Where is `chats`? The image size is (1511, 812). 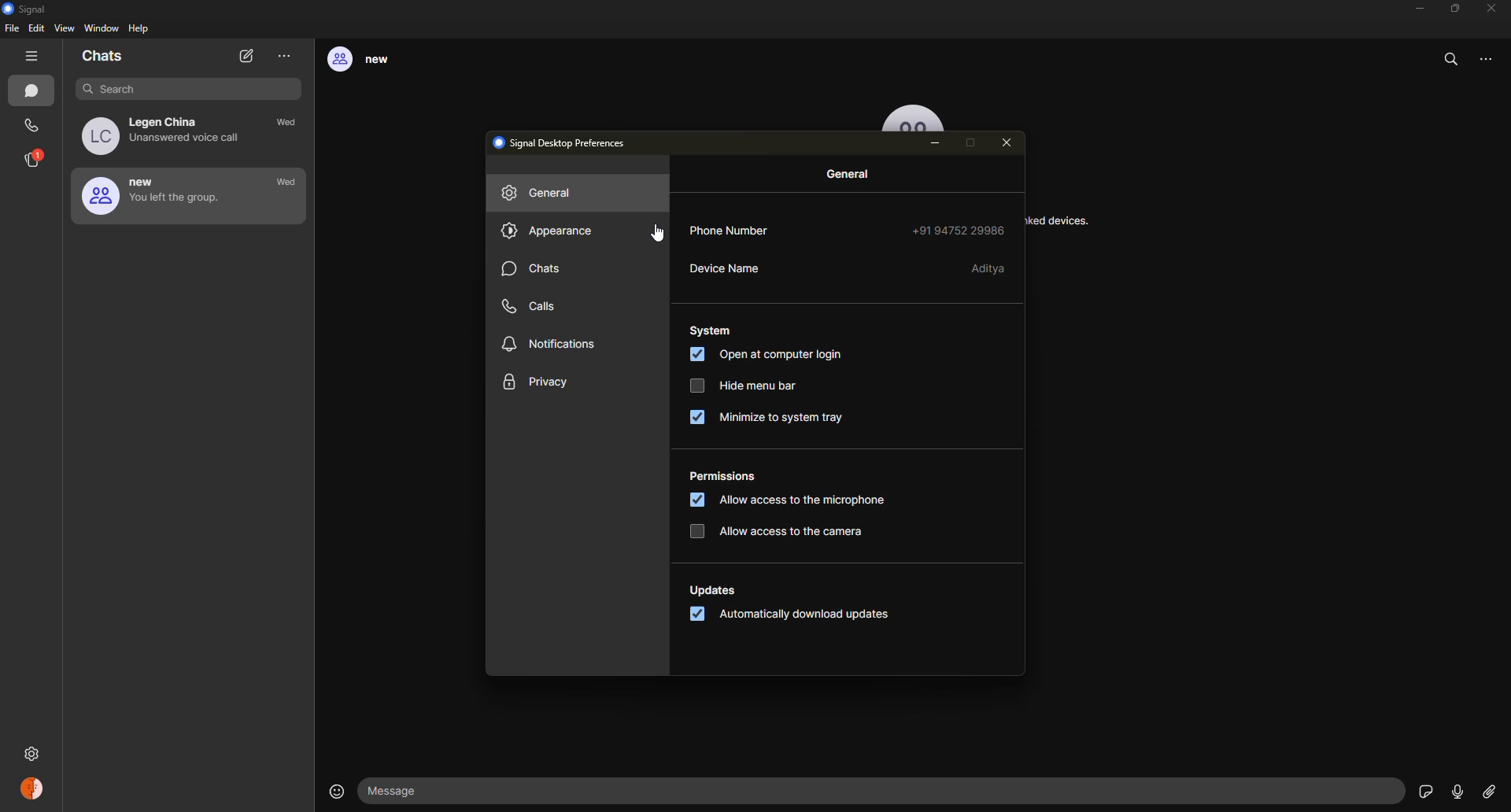 chats is located at coordinates (104, 57).